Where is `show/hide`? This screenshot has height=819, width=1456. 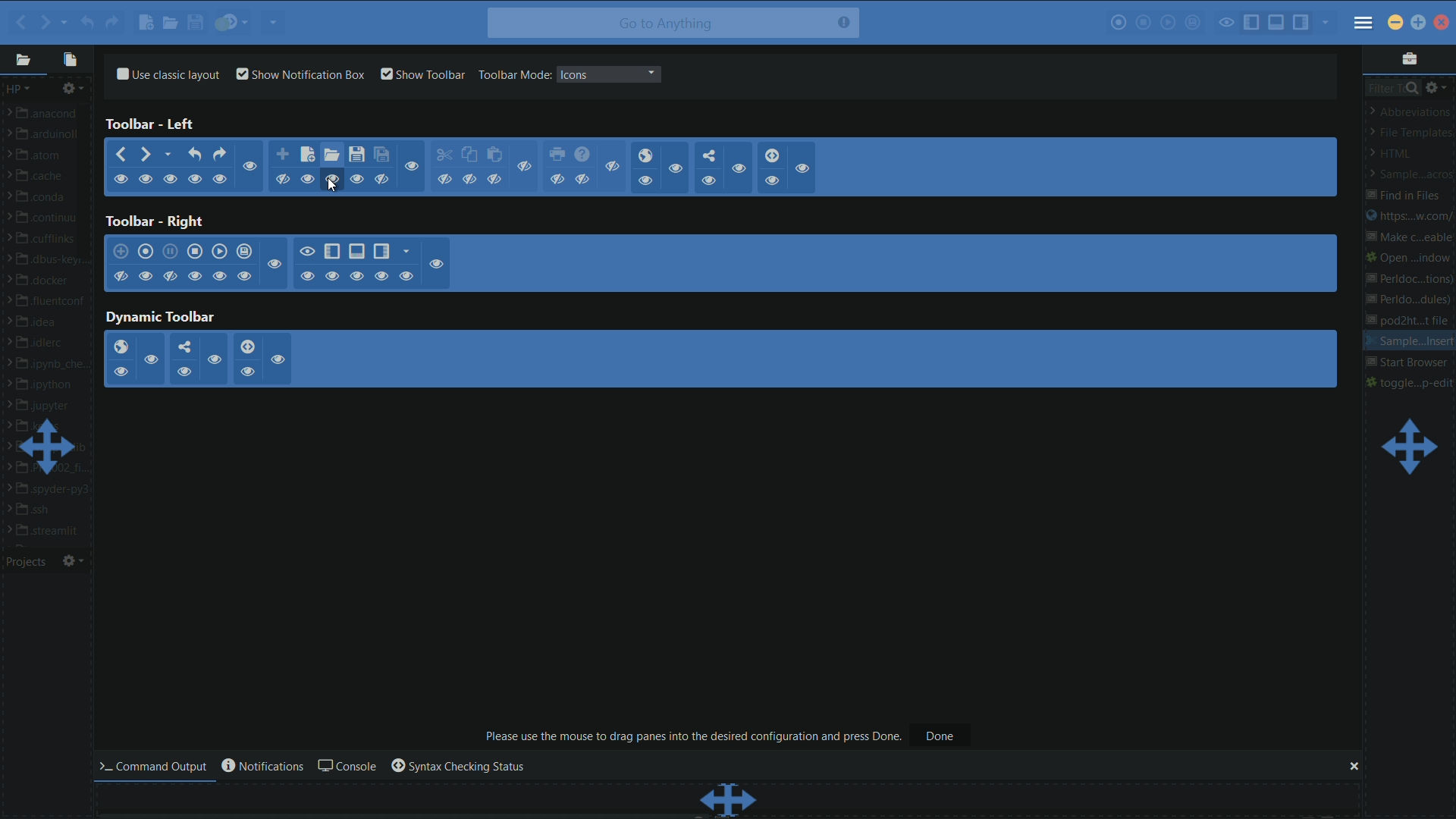
show/hide is located at coordinates (249, 167).